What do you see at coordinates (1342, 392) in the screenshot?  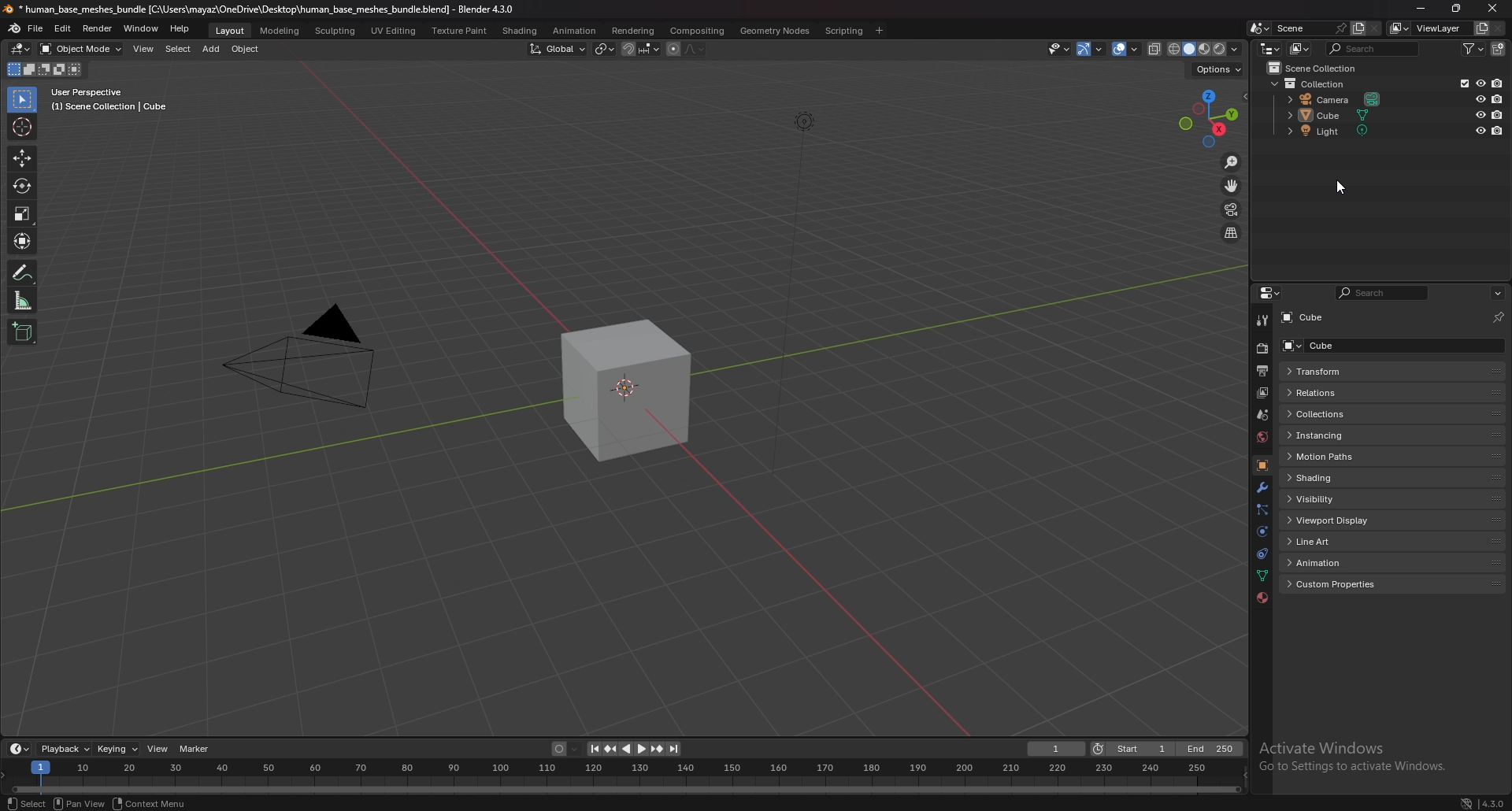 I see `relations` at bounding box center [1342, 392].